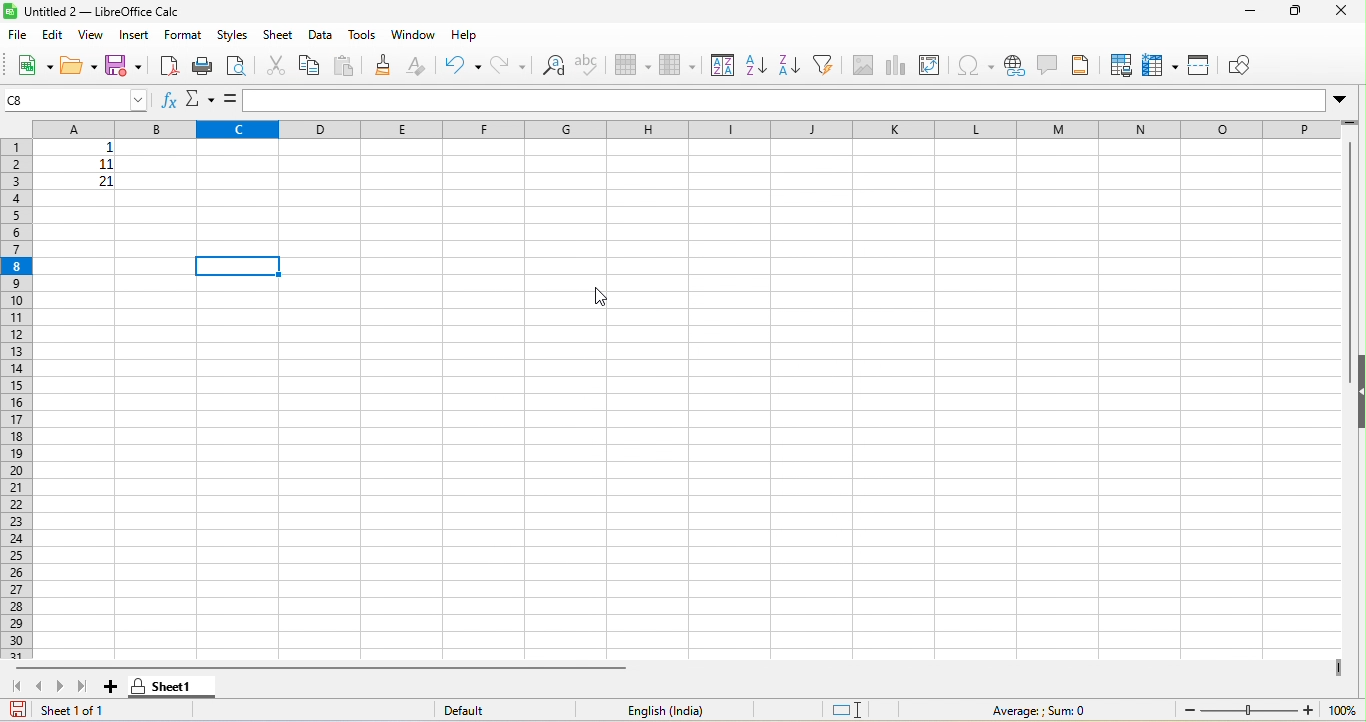 The height and width of the screenshot is (722, 1366). I want to click on pivot table, so click(942, 64).